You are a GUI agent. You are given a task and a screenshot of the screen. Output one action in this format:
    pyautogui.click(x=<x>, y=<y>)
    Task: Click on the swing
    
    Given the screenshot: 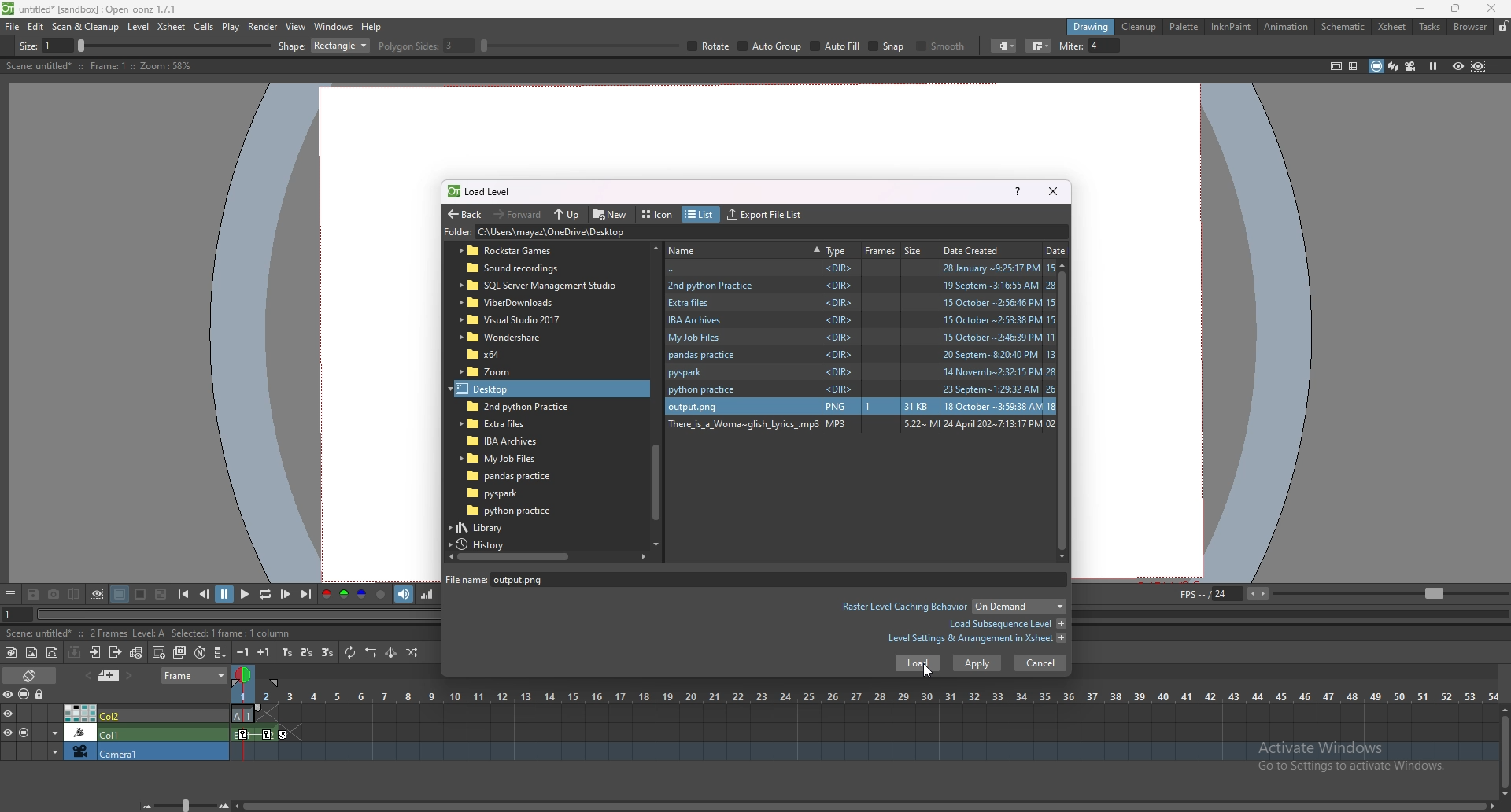 What is the action you would take?
    pyautogui.click(x=391, y=652)
    